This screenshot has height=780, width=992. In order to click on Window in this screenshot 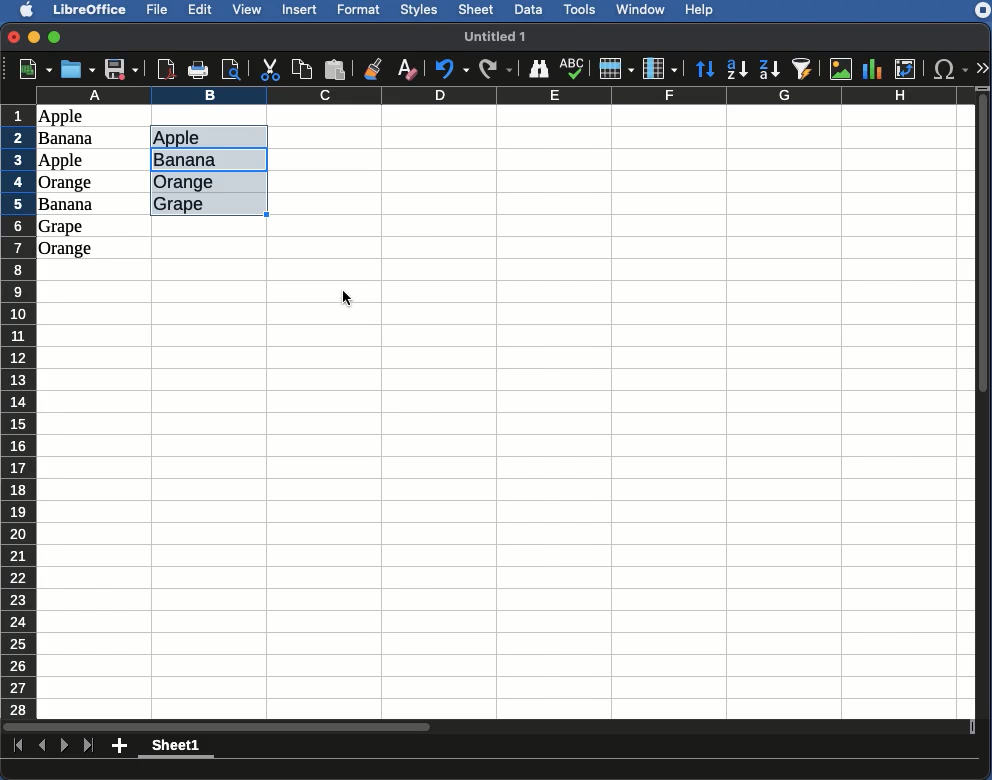, I will do `click(644, 10)`.